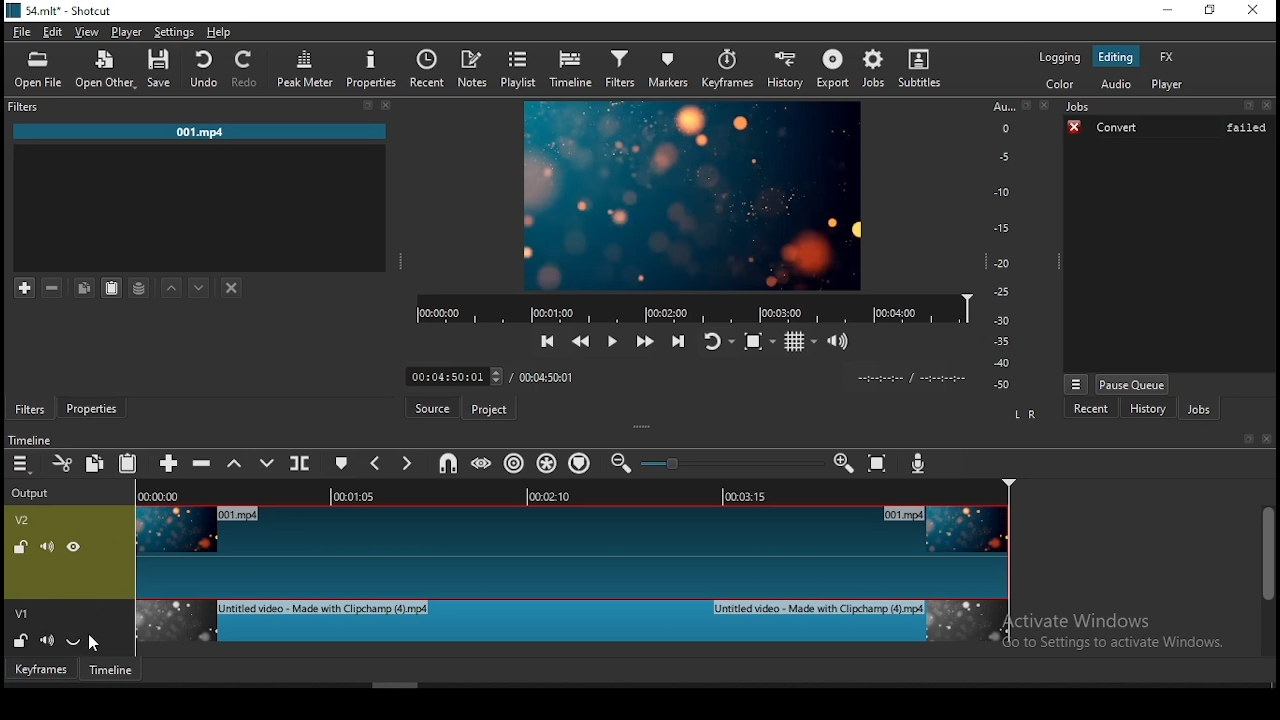  I want to click on overwrite, so click(263, 463).